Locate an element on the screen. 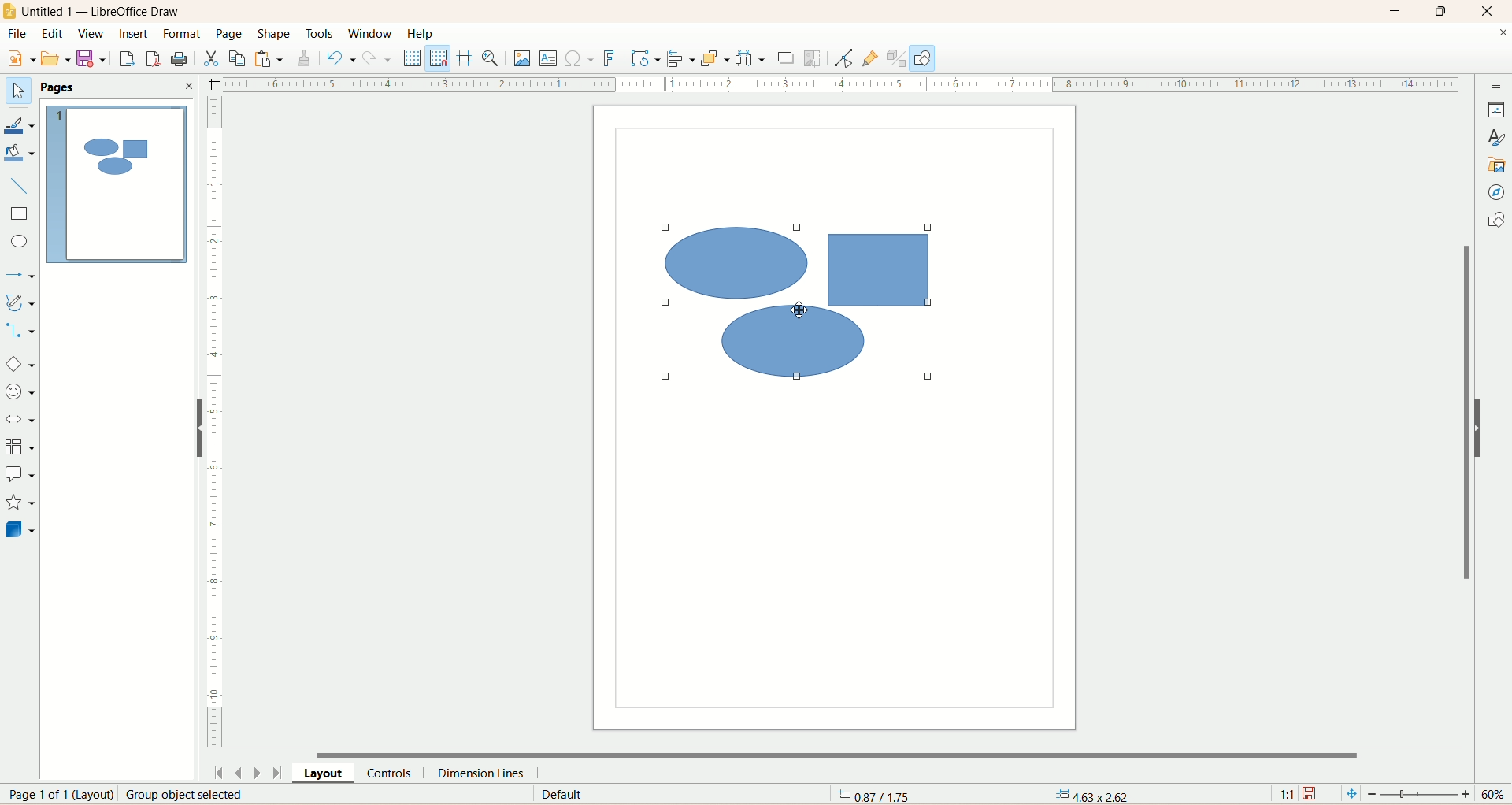  default is located at coordinates (560, 795).